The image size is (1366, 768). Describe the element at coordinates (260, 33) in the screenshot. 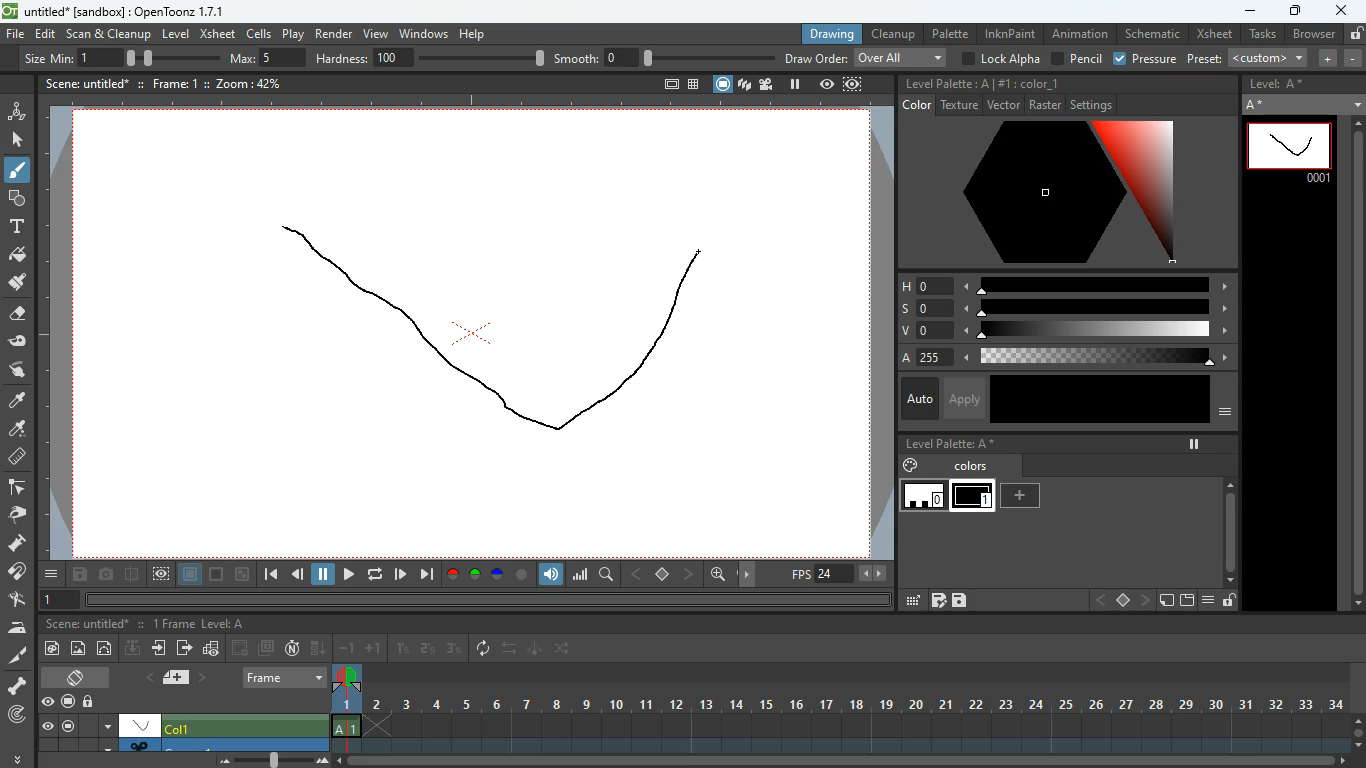

I see `cells` at that location.